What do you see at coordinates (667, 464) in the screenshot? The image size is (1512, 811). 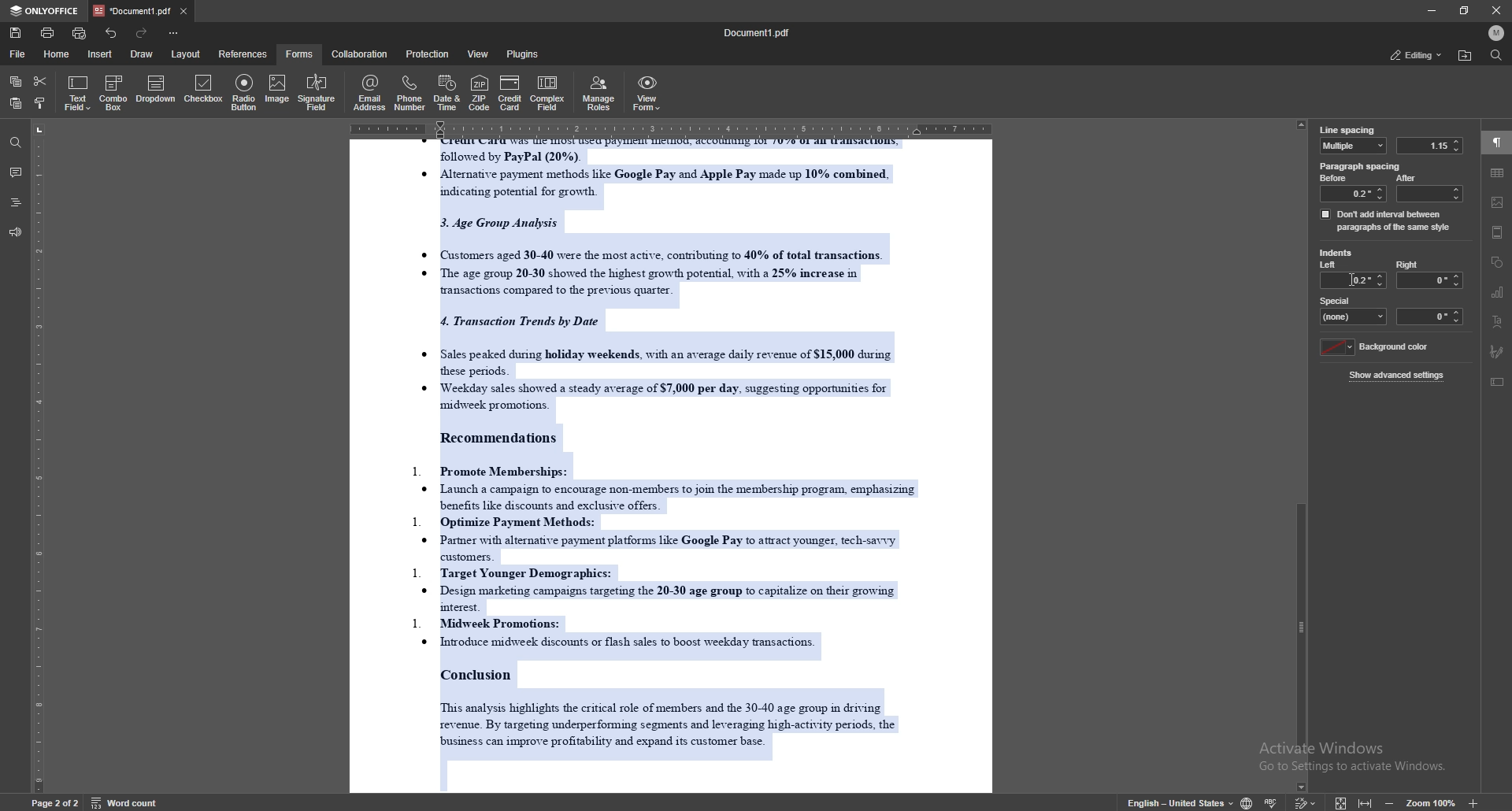 I see `document` at bounding box center [667, 464].